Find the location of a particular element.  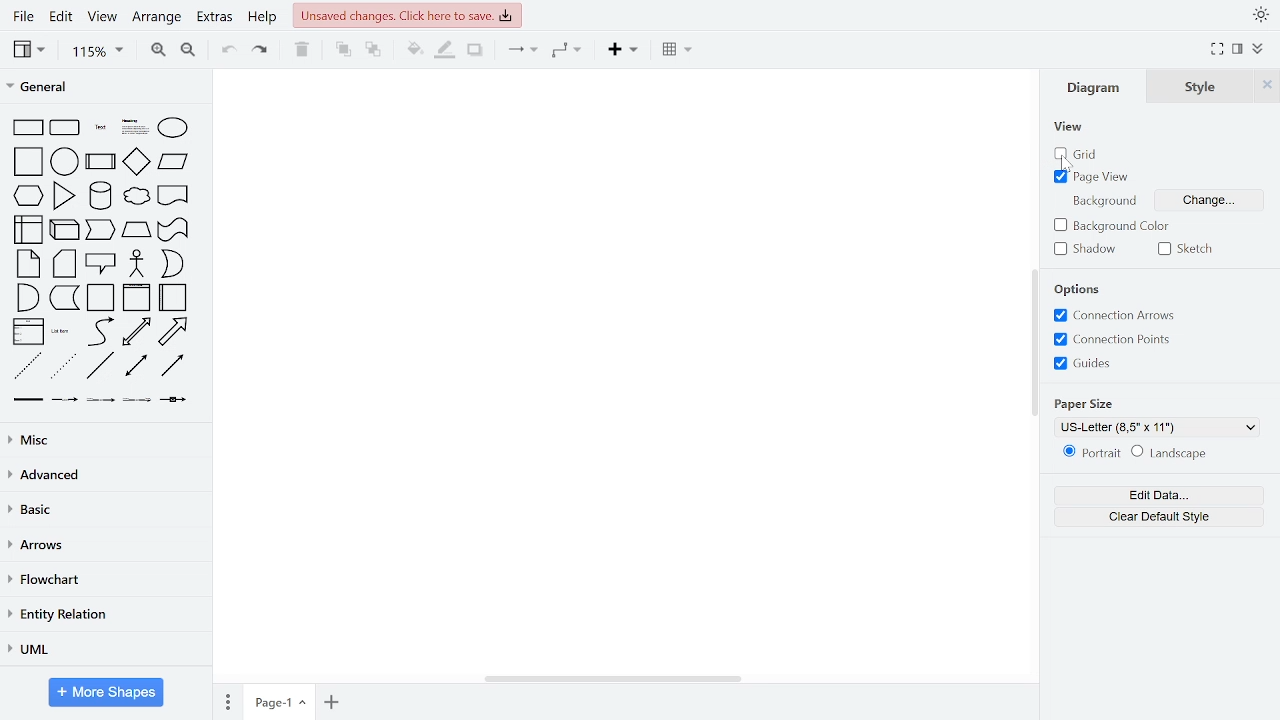

step is located at coordinates (101, 230).